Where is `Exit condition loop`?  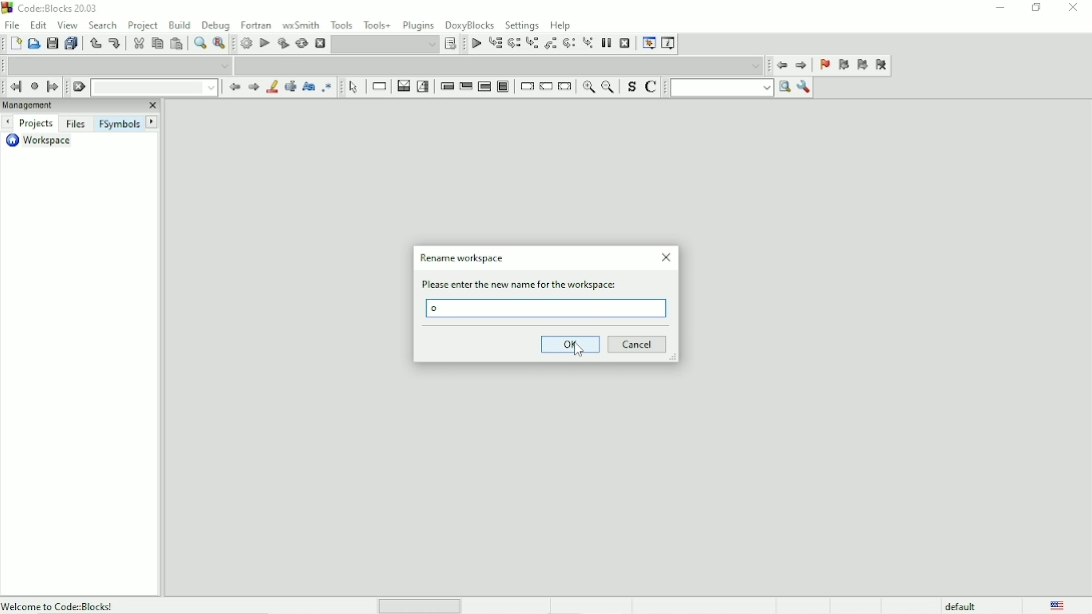 Exit condition loop is located at coordinates (466, 87).